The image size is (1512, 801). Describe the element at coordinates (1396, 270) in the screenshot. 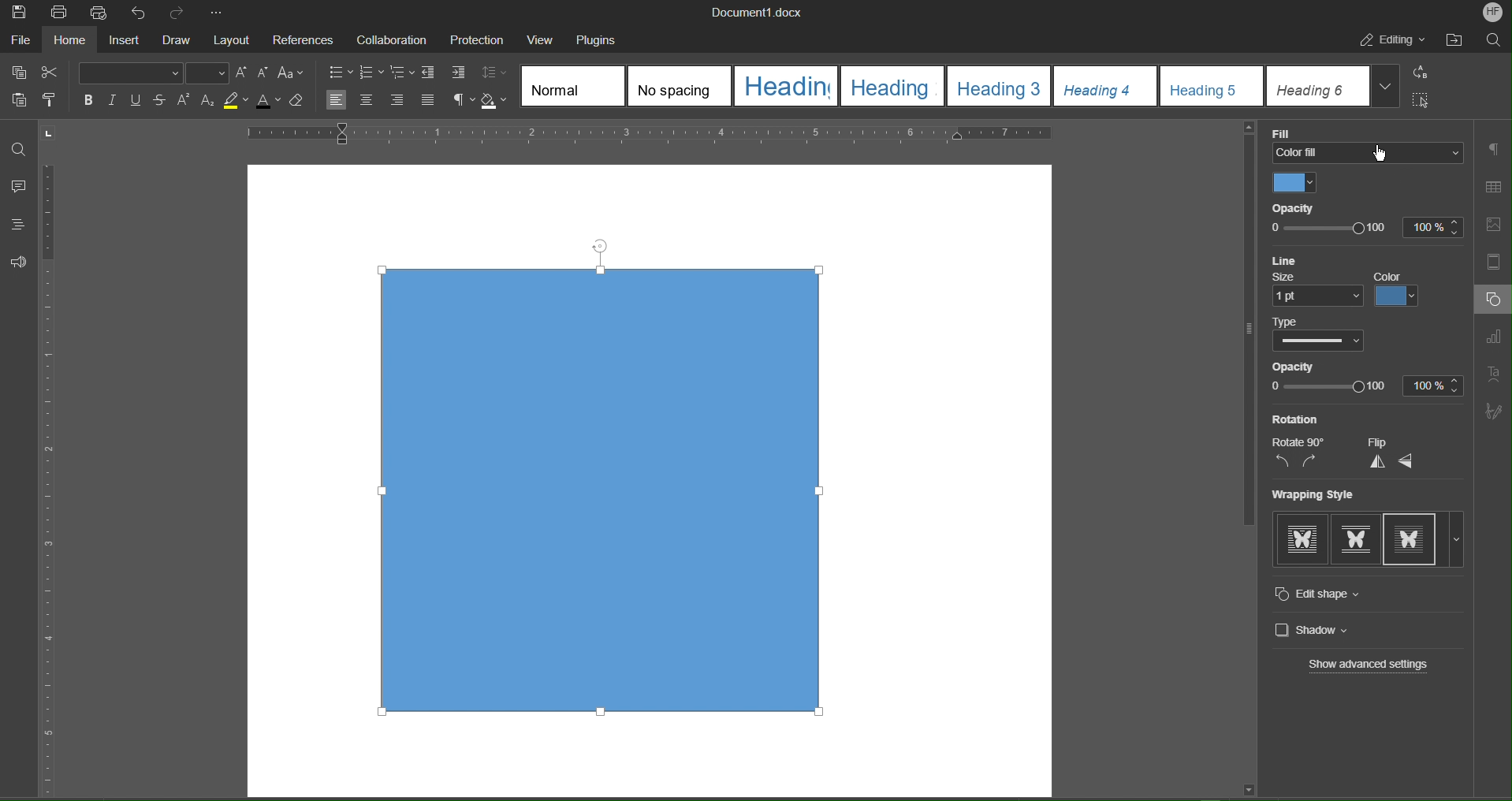

I see `Color` at that location.